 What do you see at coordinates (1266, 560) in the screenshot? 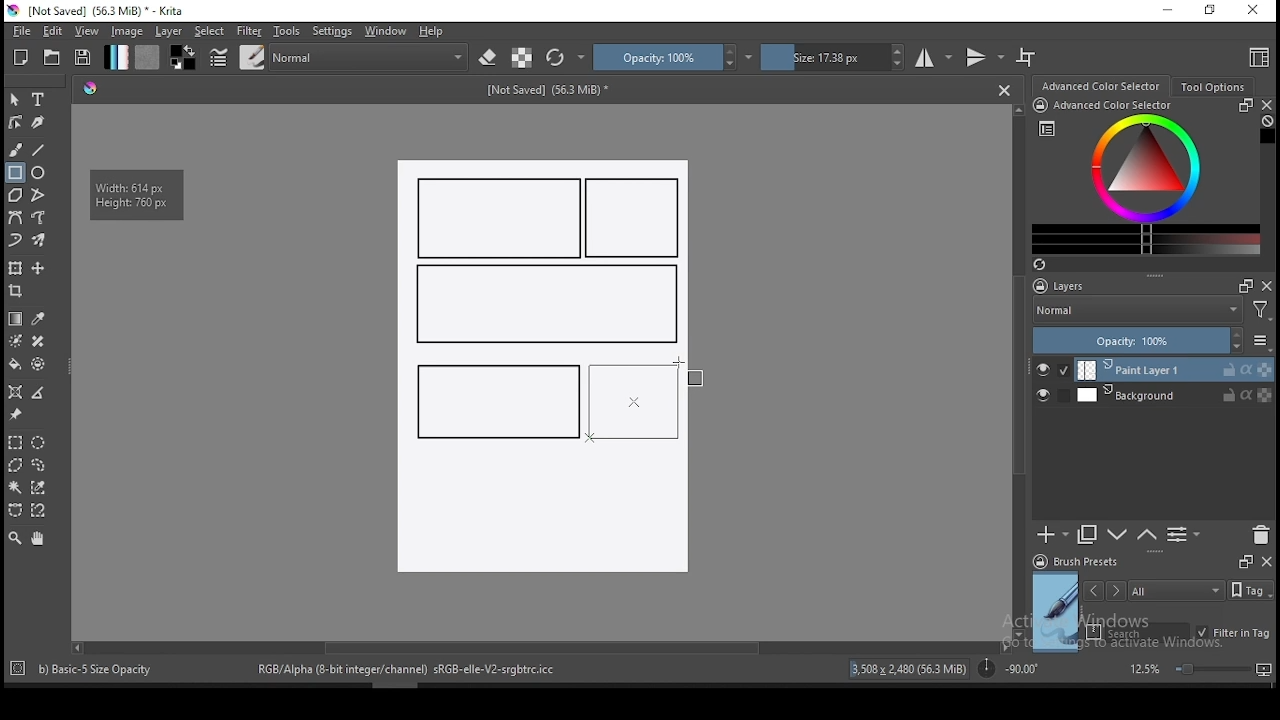
I see `close docker` at bounding box center [1266, 560].